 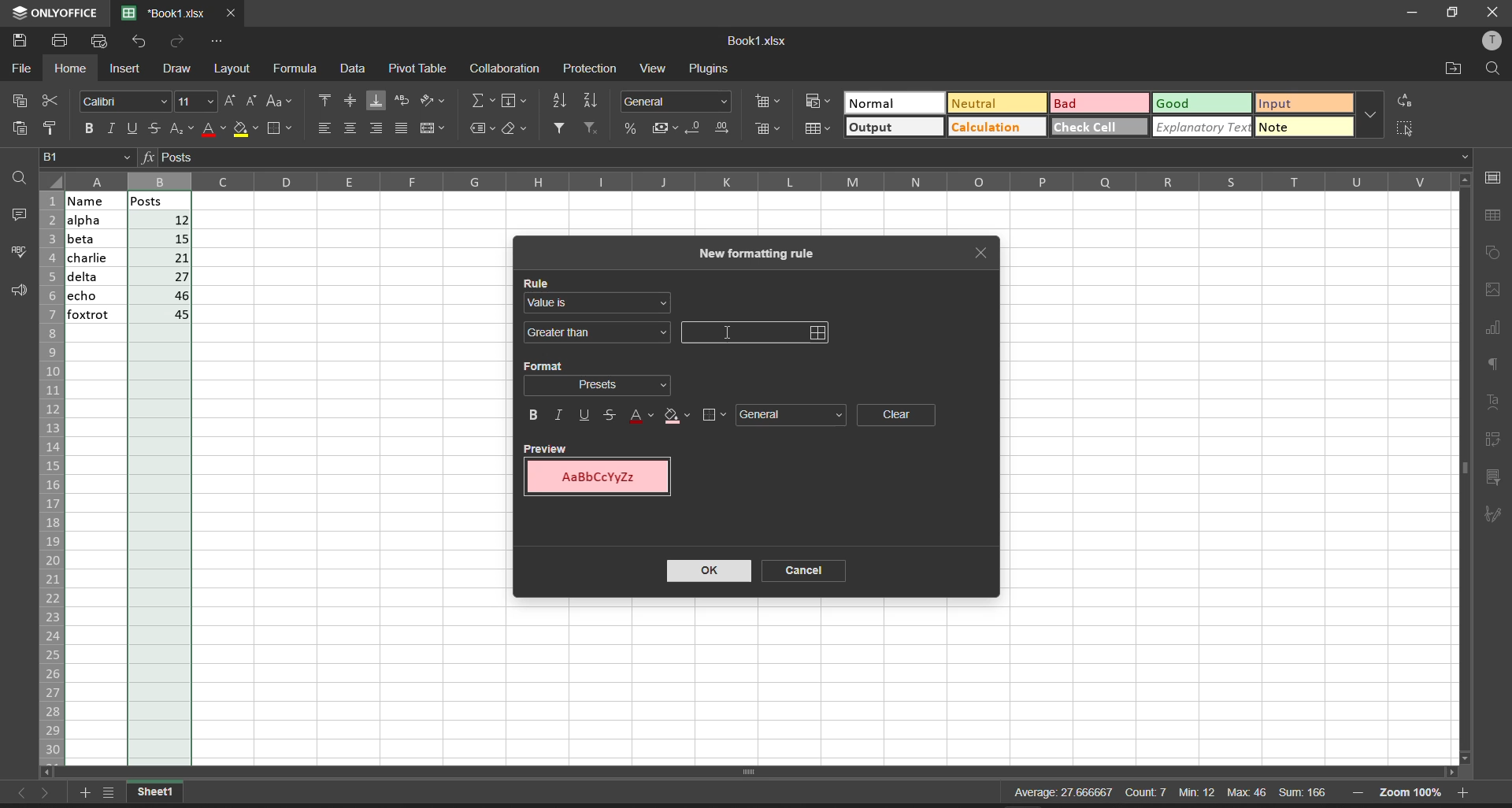 What do you see at coordinates (1448, 773) in the screenshot?
I see `scroll right` at bounding box center [1448, 773].